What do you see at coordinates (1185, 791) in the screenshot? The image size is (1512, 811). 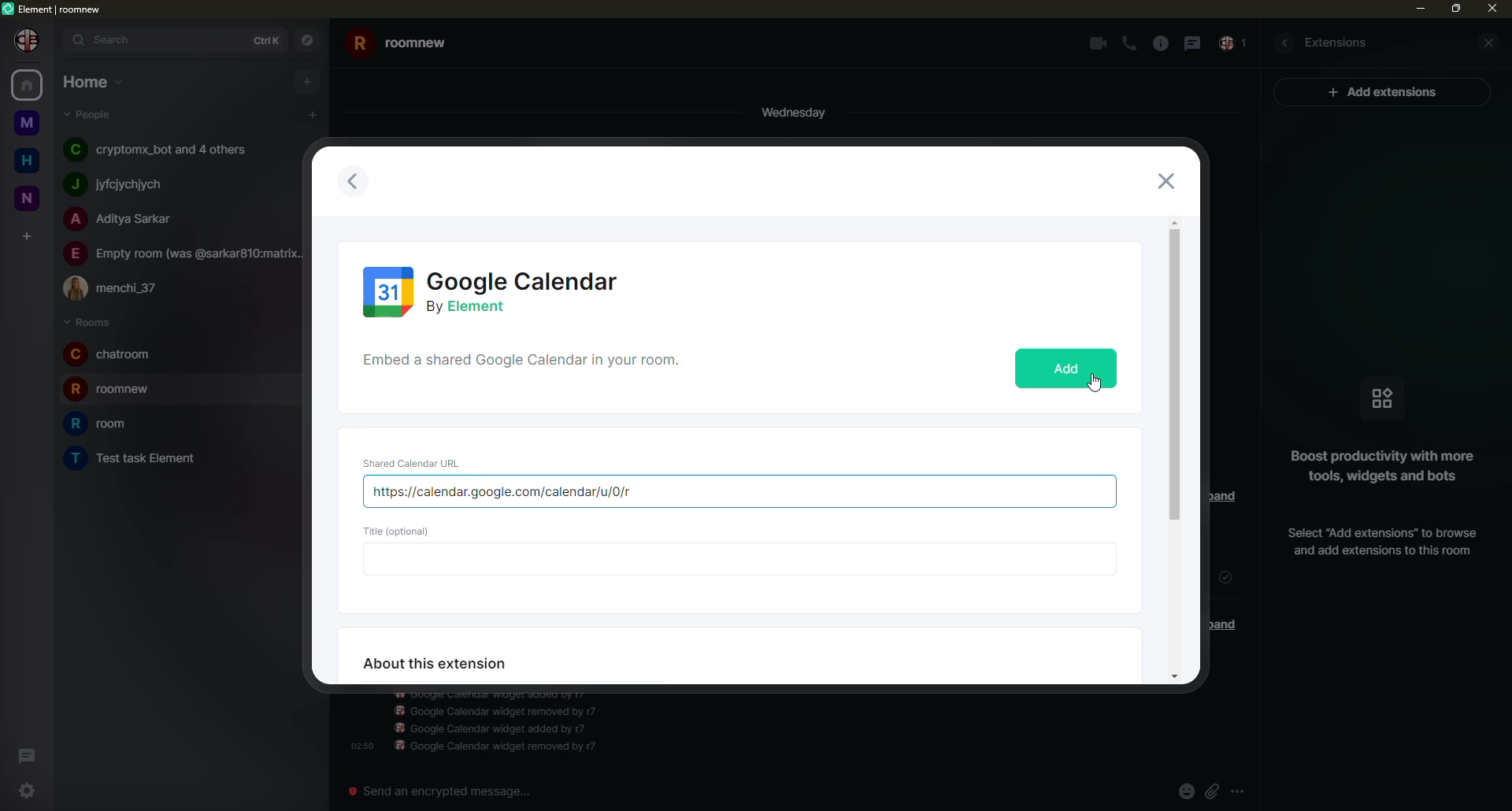 I see `emoji` at bounding box center [1185, 791].